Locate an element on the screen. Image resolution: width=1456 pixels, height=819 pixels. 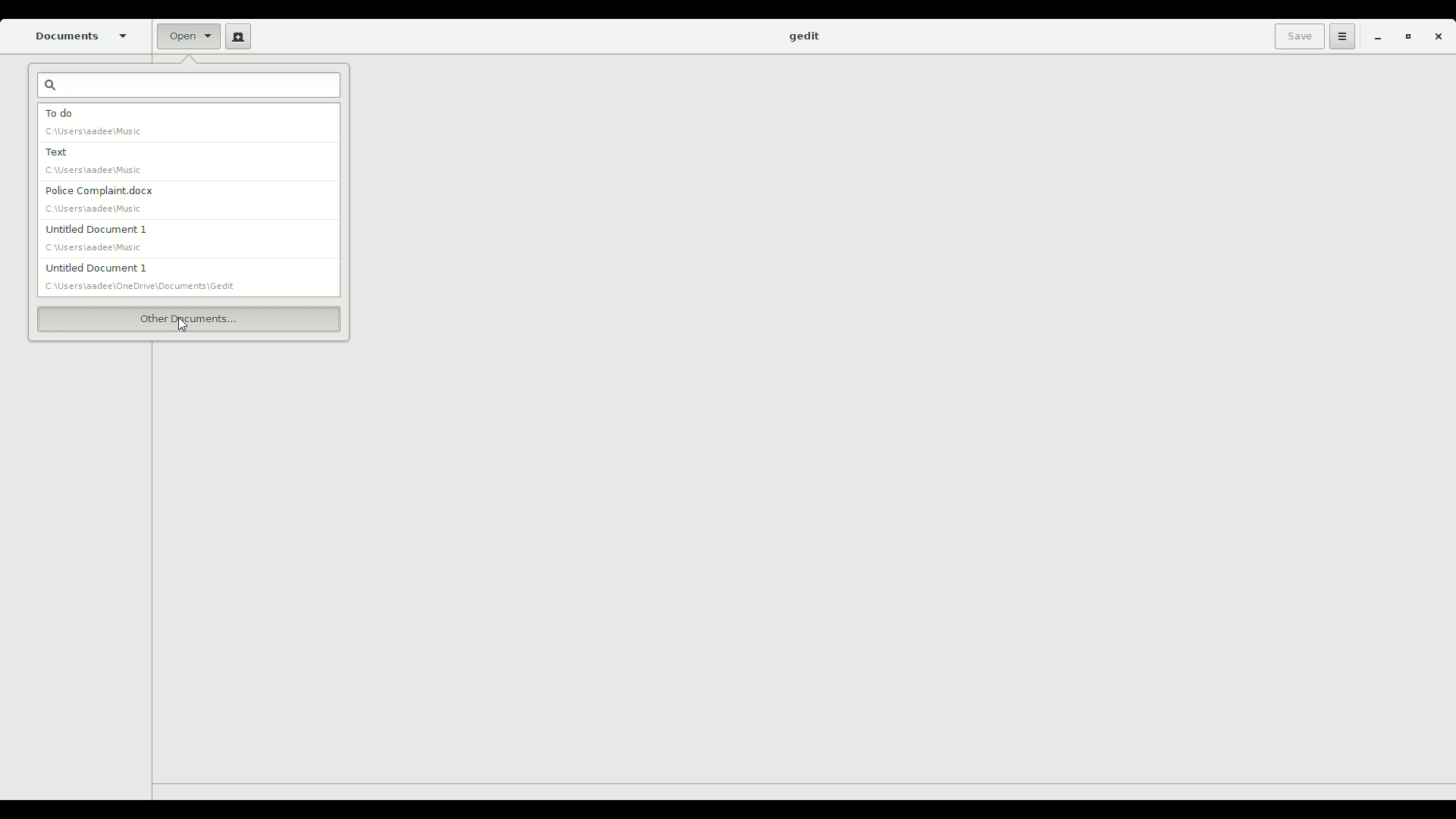
Police complaint.docx is located at coordinates (100, 198).